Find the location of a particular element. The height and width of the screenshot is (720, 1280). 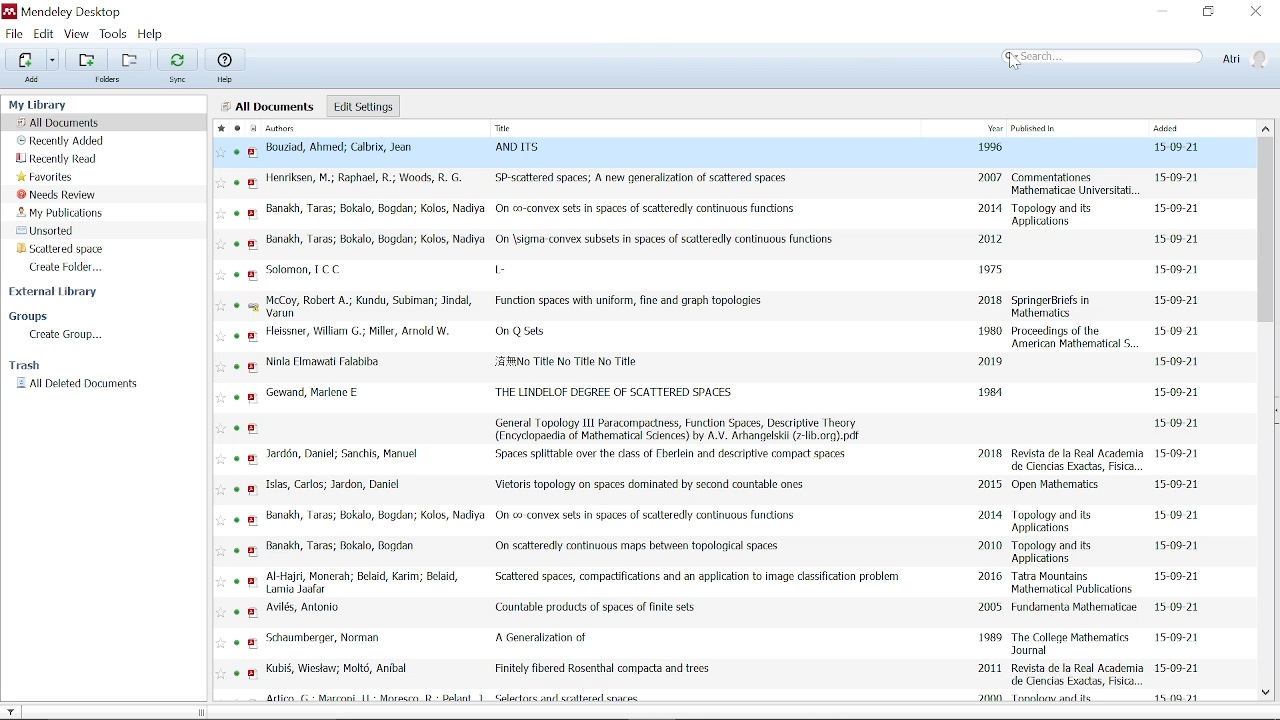

Henriksen, M.; Raphael, R.; Woods, RG.  SP-scattered spaces; A new generalization of scattered spaces 2007 Commentationes Mathematicae Universitat, 15-09-21 is located at coordinates (728, 183).